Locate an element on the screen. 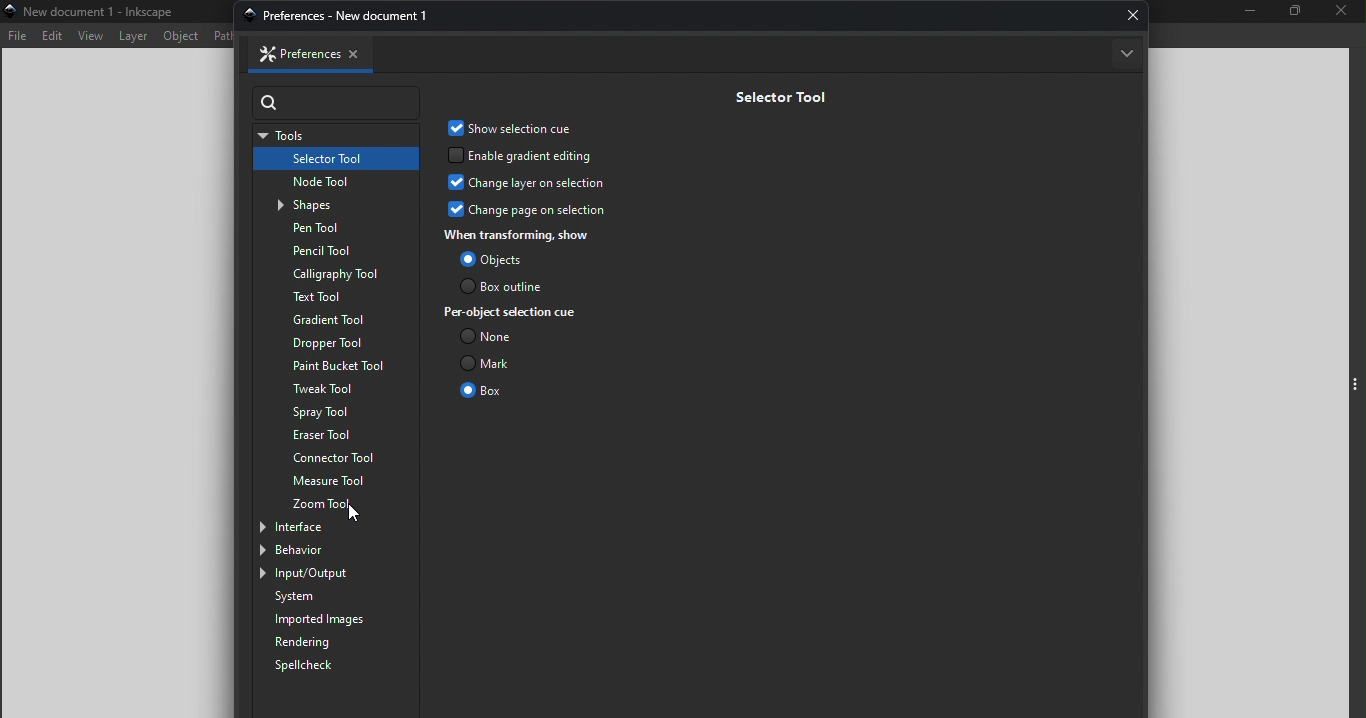 This screenshot has height=718, width=1366. Close is located at coordinates (1135, 19).